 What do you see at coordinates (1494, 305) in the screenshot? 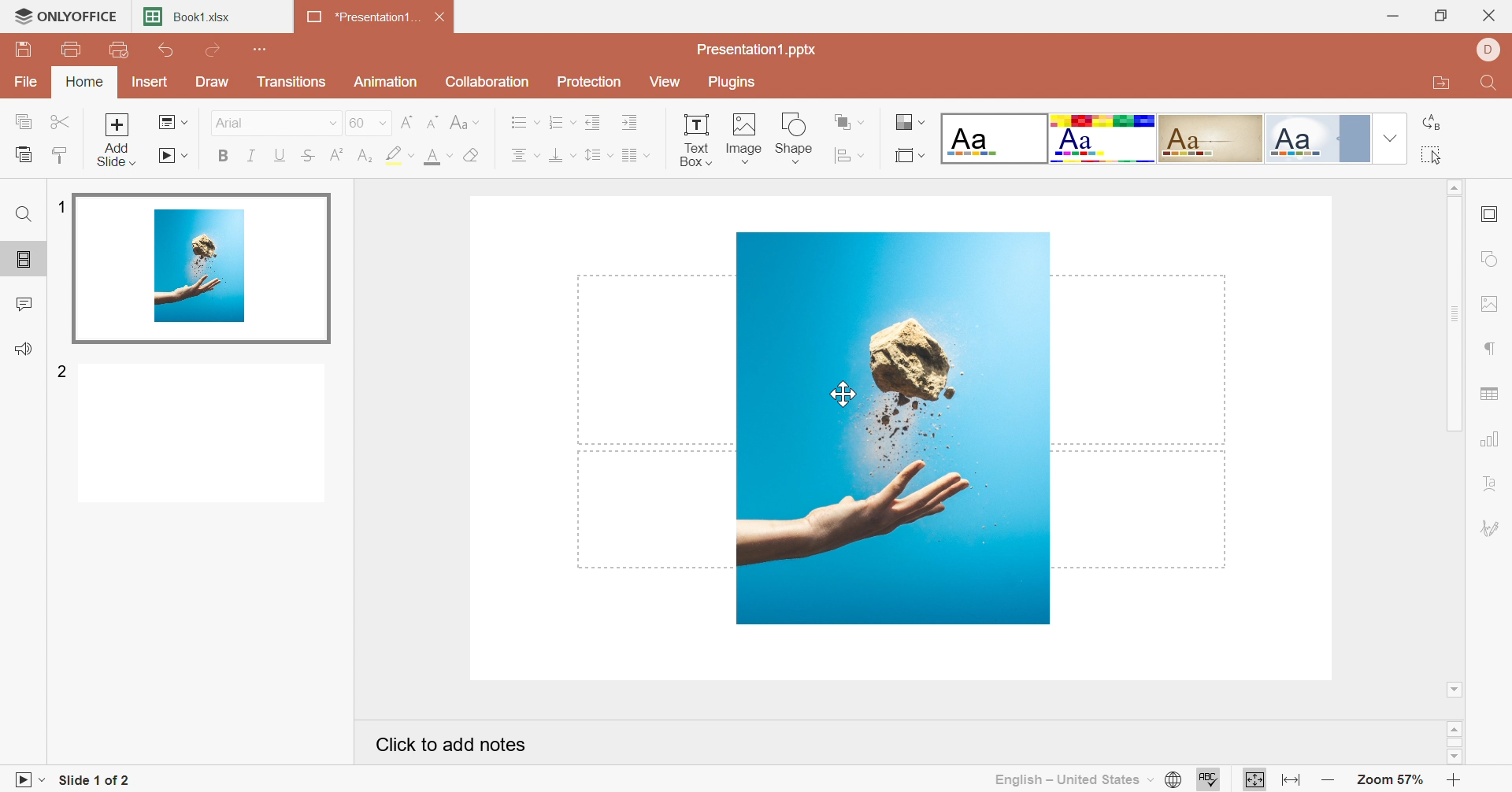
I see `image settings` at bounding box center [1494, 305].